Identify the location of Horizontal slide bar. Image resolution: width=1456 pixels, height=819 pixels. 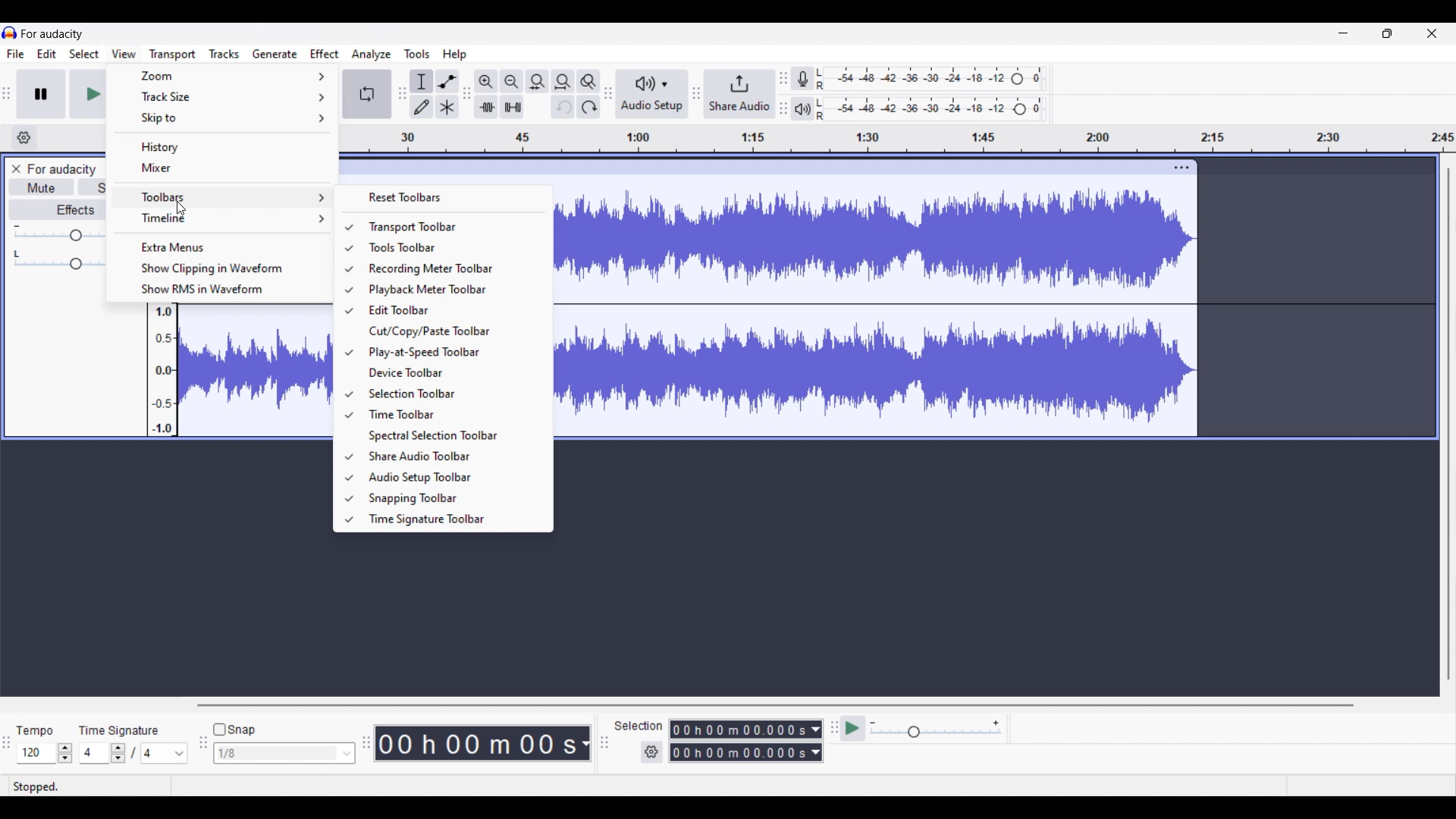
(775, 705).